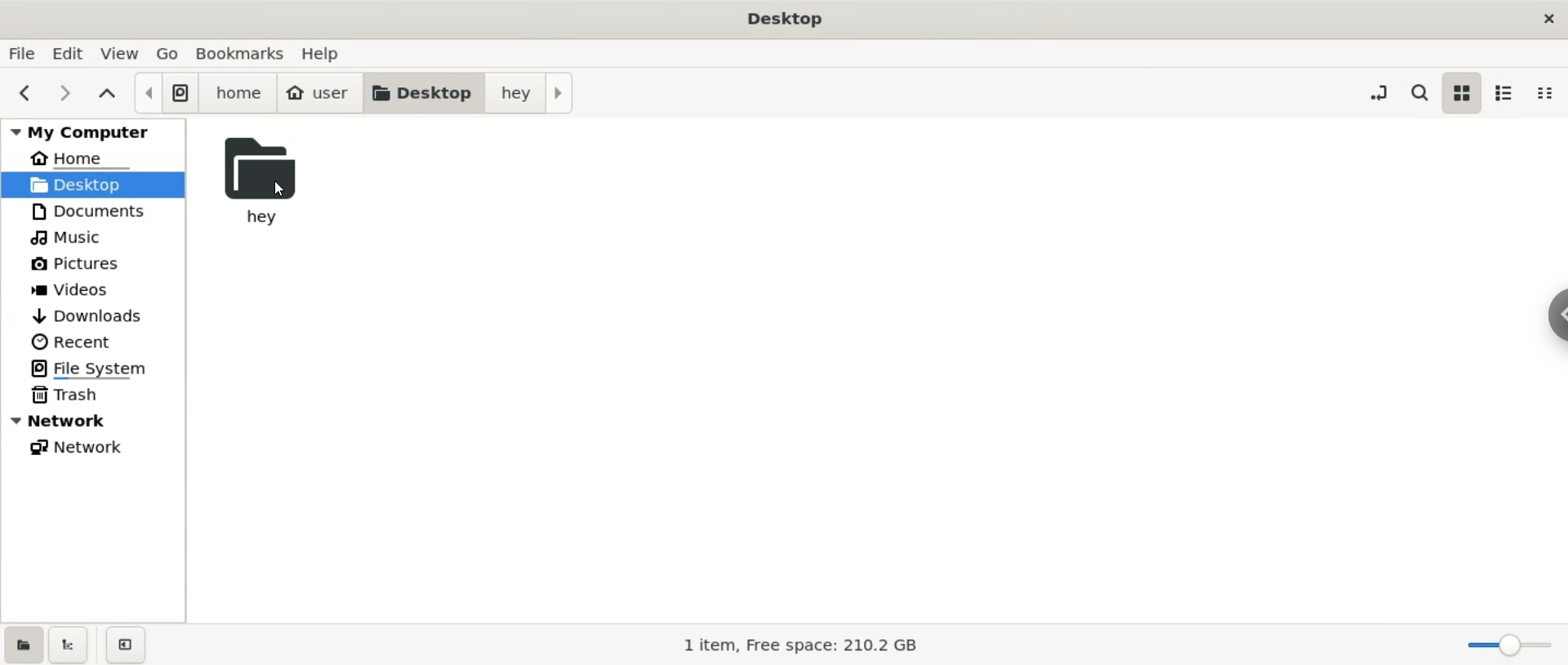  Describe the element at coordinates (790, 17) in the screenshot. I see `title` at that location.